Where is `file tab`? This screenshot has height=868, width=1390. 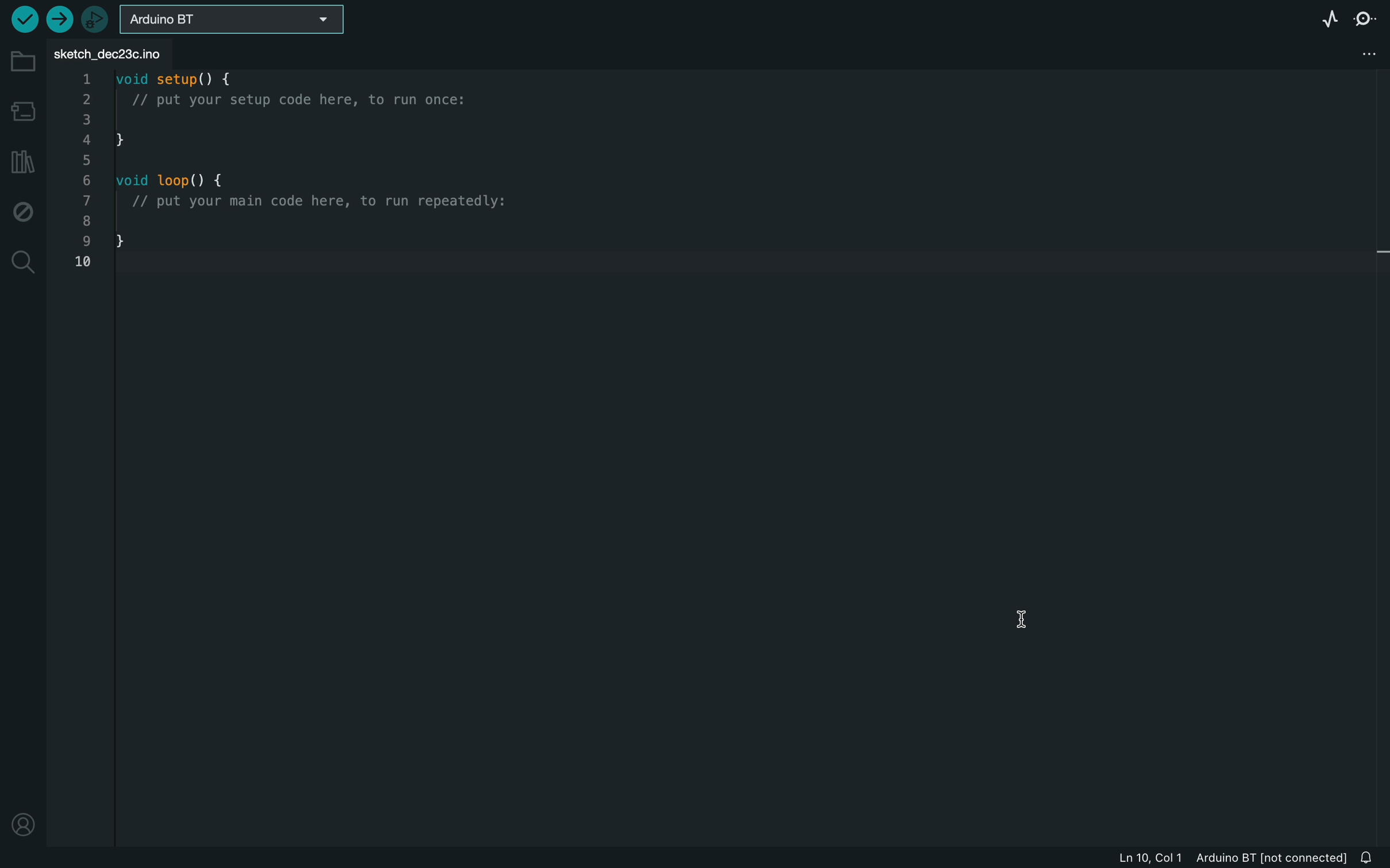
file tab is located at coordinates (116, 52).